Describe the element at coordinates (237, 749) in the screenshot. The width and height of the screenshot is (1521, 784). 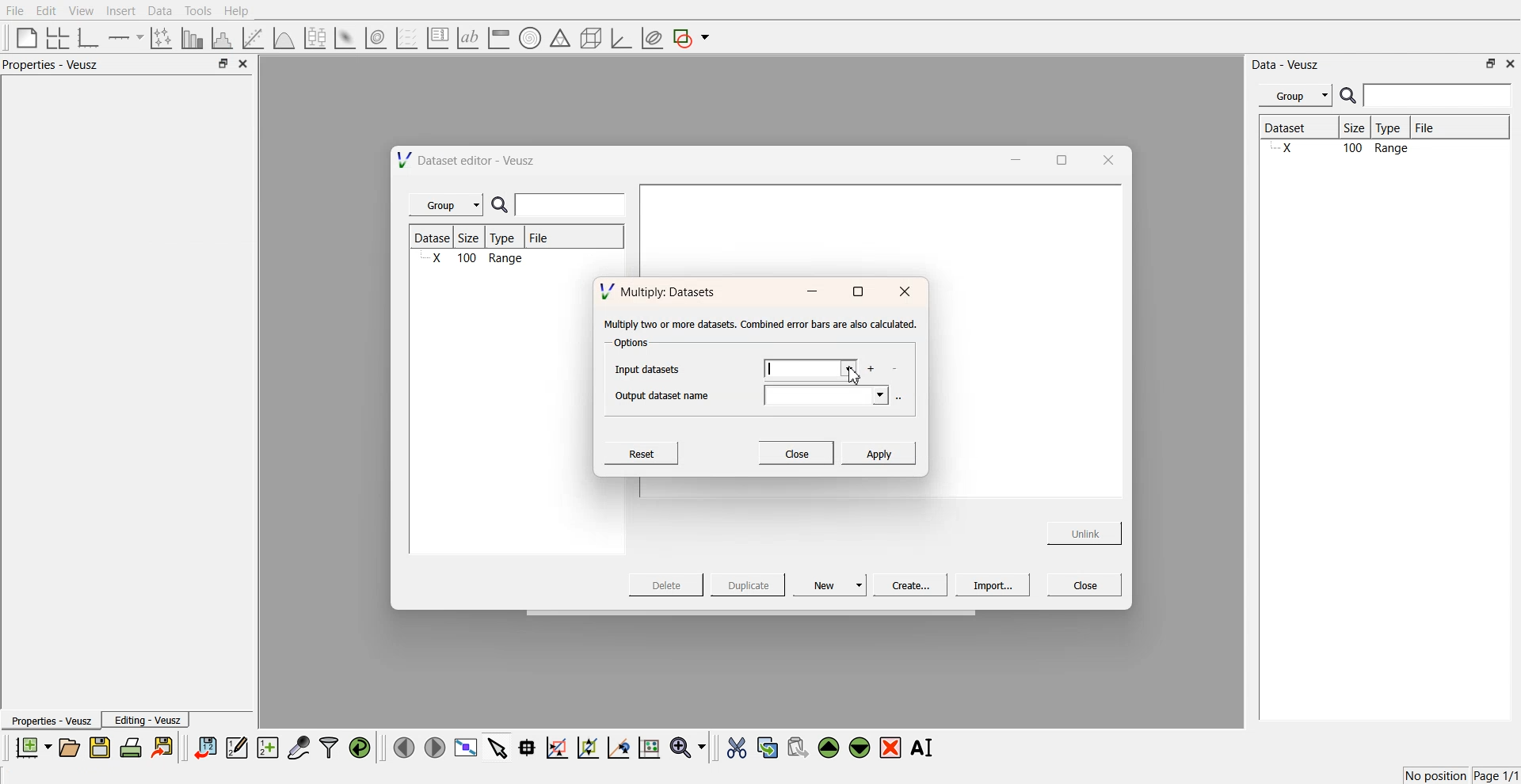
I see `edit and enter data points` at that location.